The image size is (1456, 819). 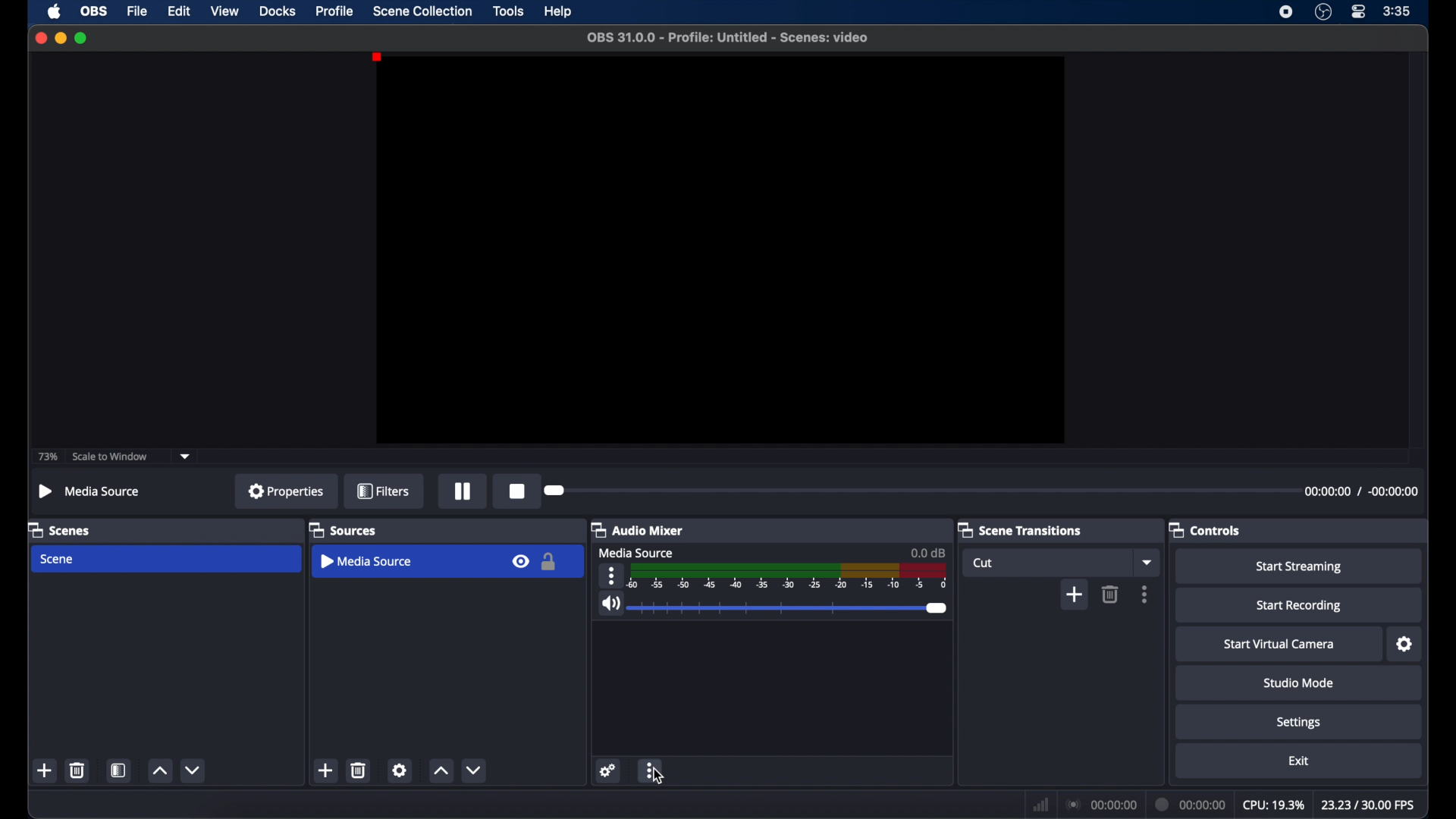 I want to click on sources, so click(x=343, y=529).